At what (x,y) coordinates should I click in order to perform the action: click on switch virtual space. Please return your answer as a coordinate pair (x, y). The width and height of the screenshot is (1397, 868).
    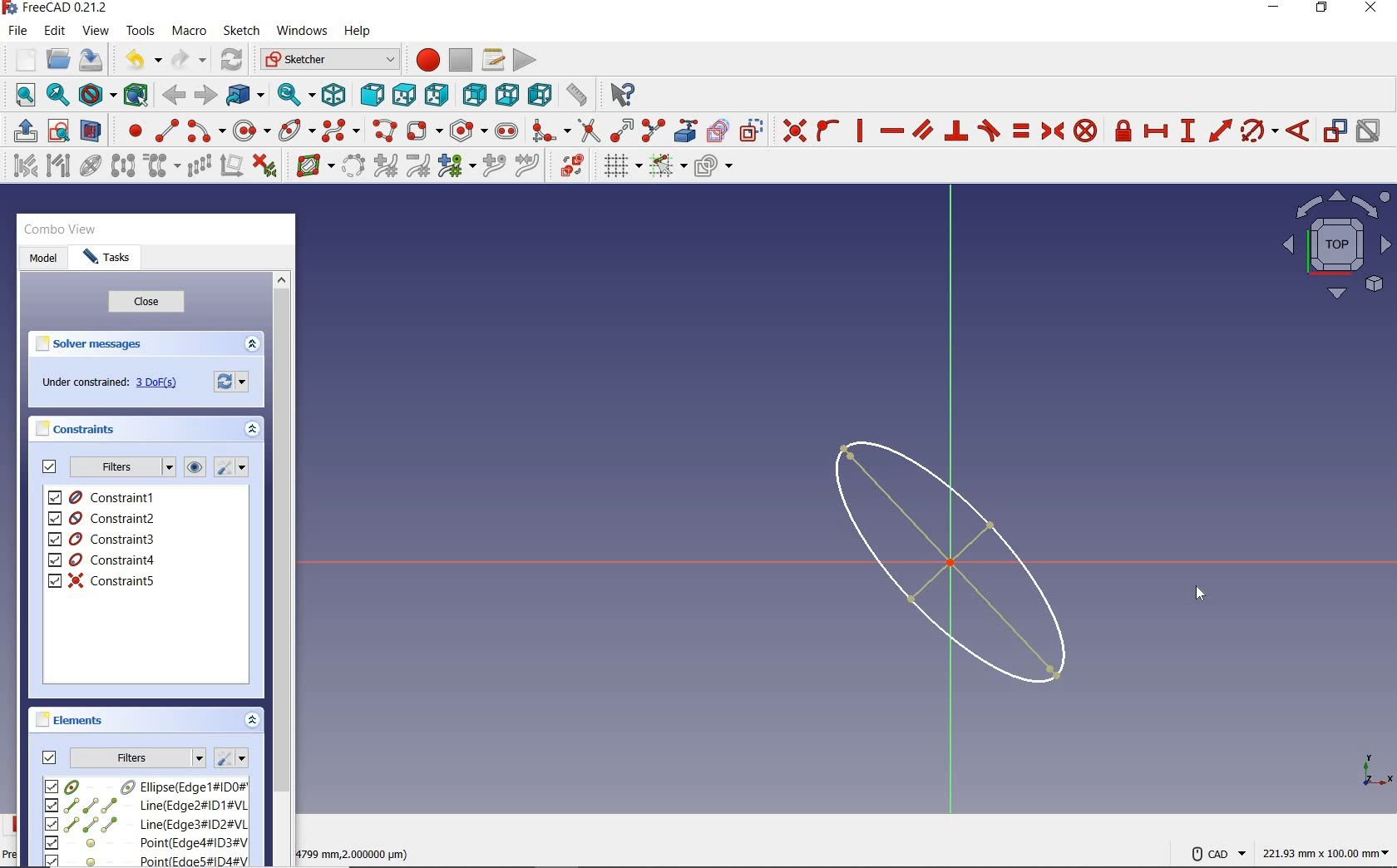
    Looking at the image, I should click on (571, 165).